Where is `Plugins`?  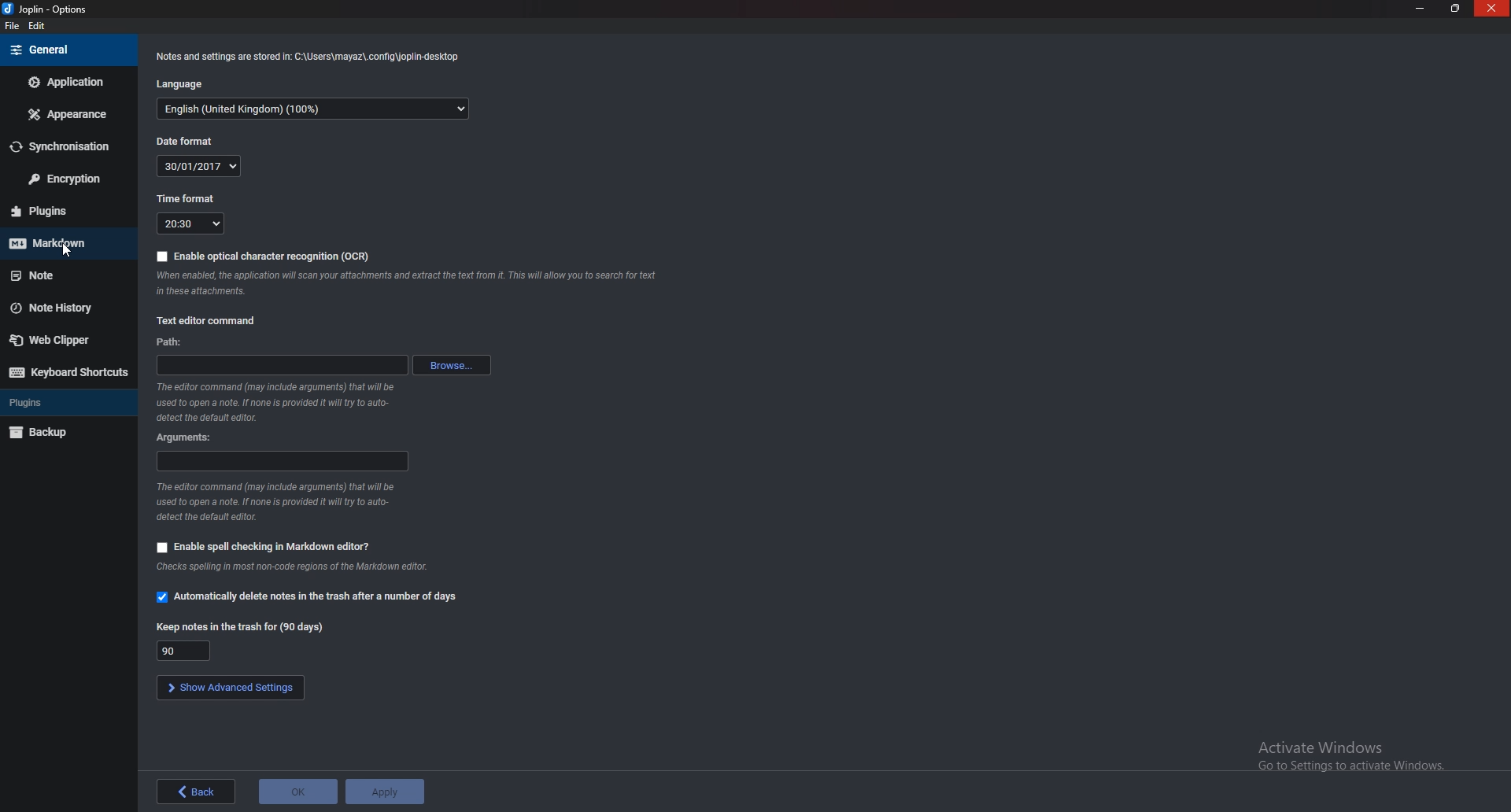 Plugins is located at coordinates (65, 403).